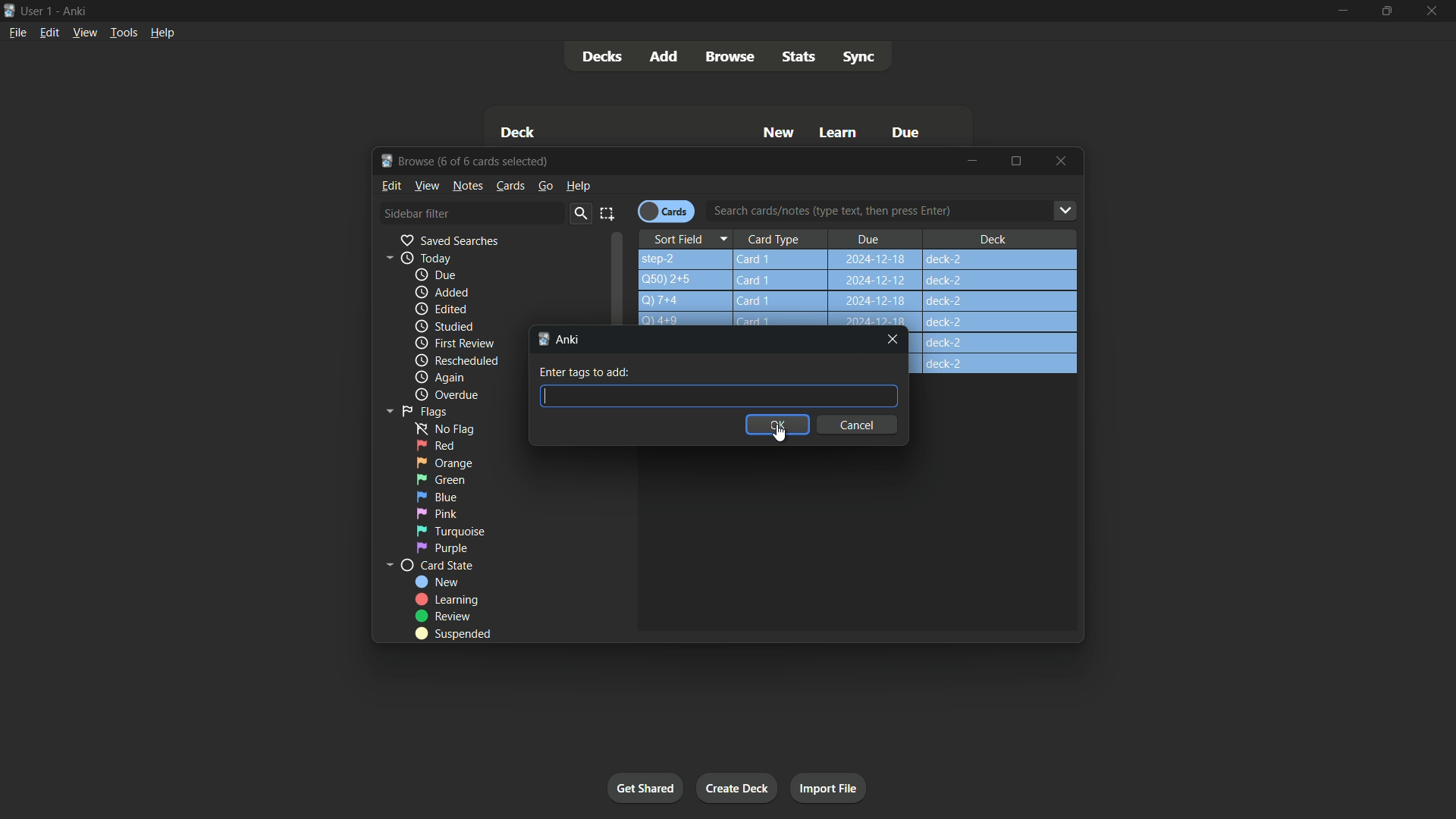 Image resolution: width=1456 pixels, height=819 pixels. I want to click on minimize, so click(973, 162).